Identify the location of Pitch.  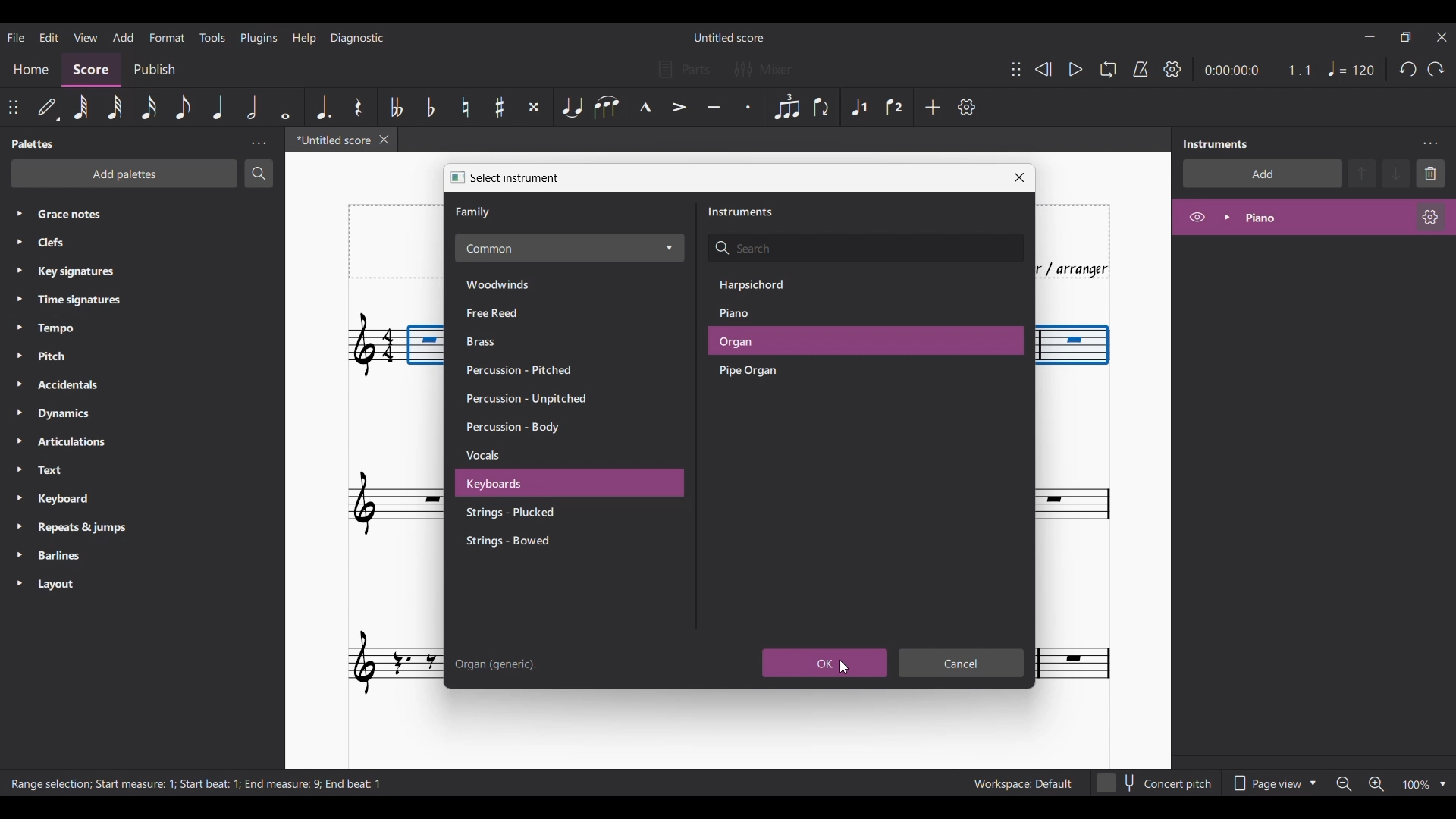
(86, 355).